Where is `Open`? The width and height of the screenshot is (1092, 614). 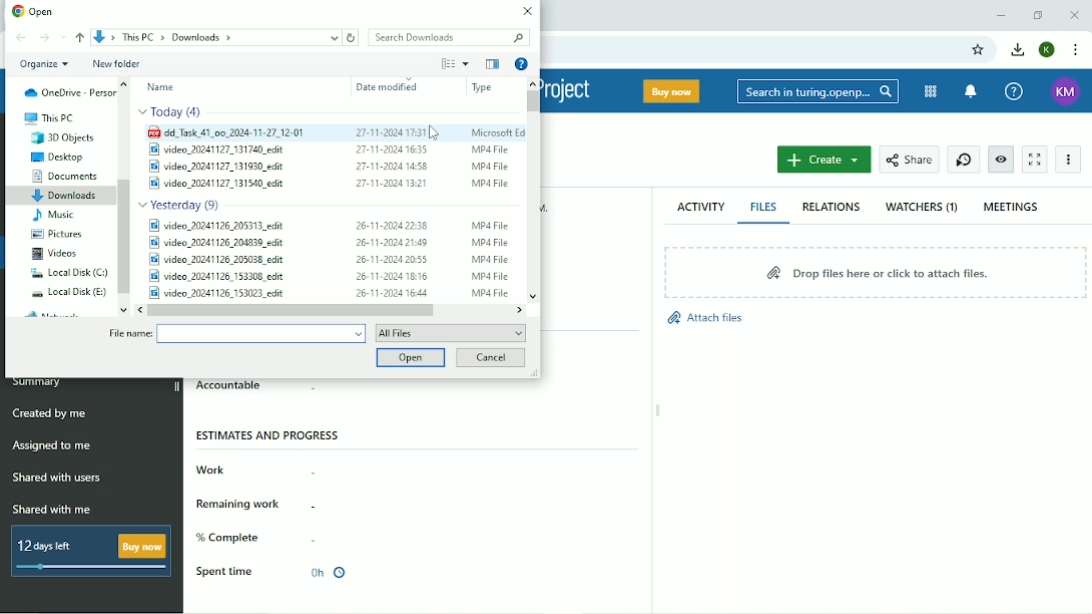
Open is located at coordinates (34, 10).